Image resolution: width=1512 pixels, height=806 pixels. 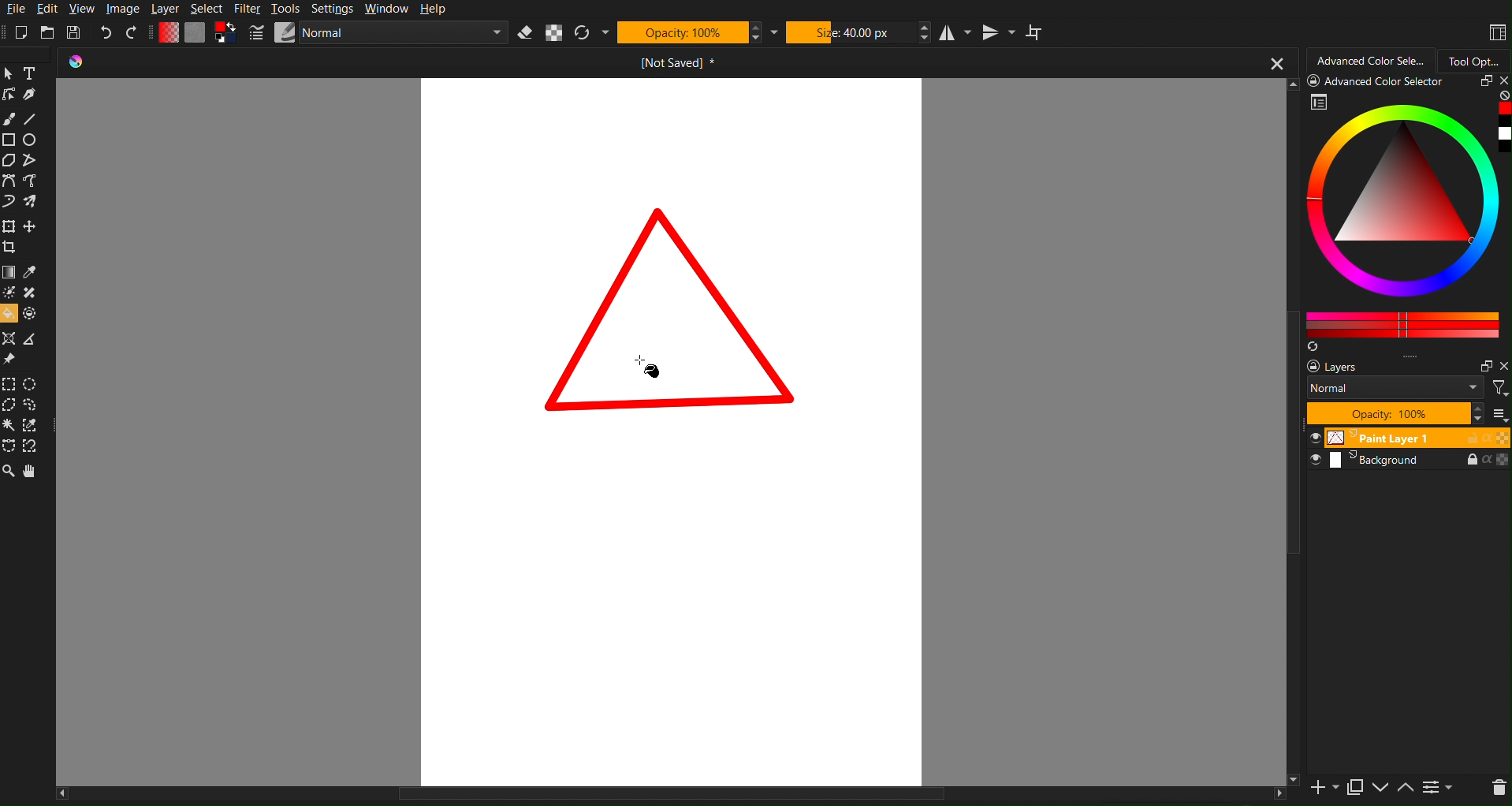 I want to click on Advanced Color Selector, so click(x=1372, y=58).